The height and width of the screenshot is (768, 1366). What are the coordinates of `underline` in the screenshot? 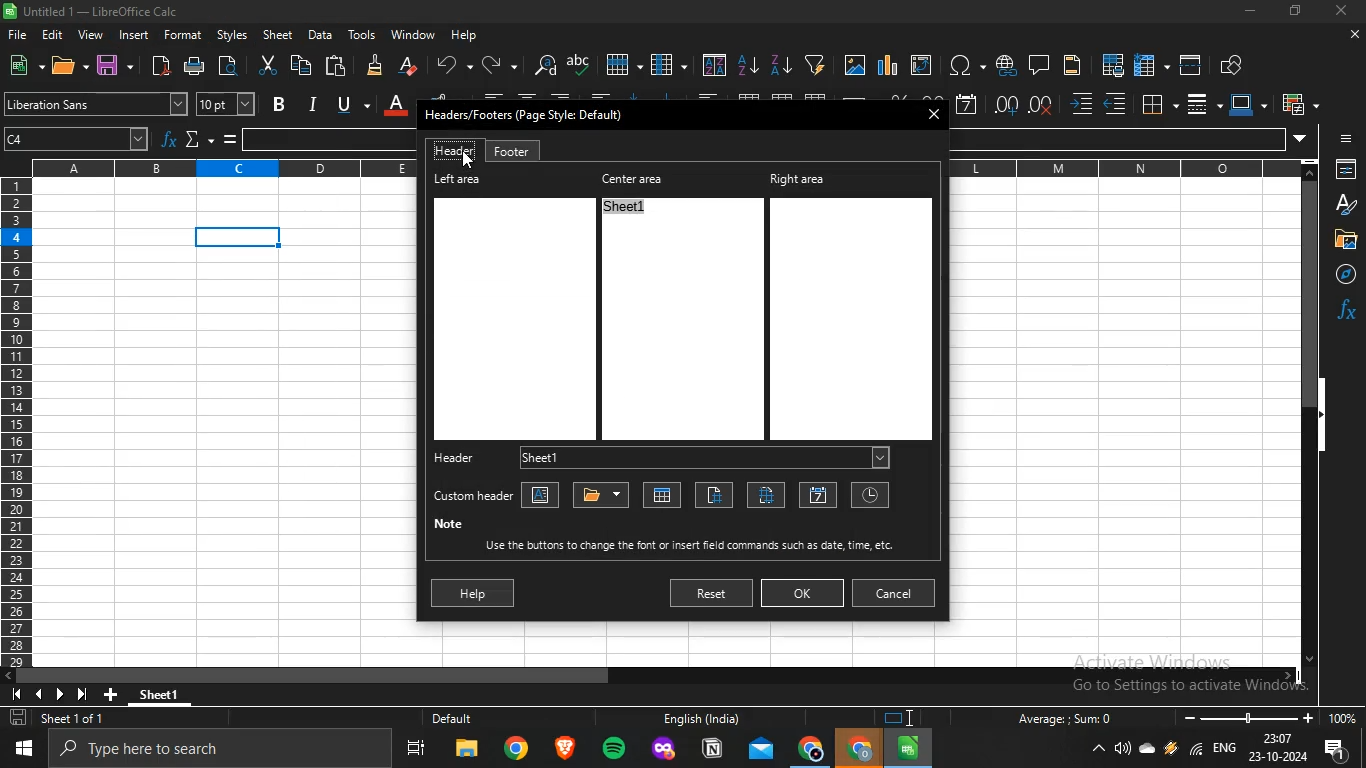 It's located at (344, 102).